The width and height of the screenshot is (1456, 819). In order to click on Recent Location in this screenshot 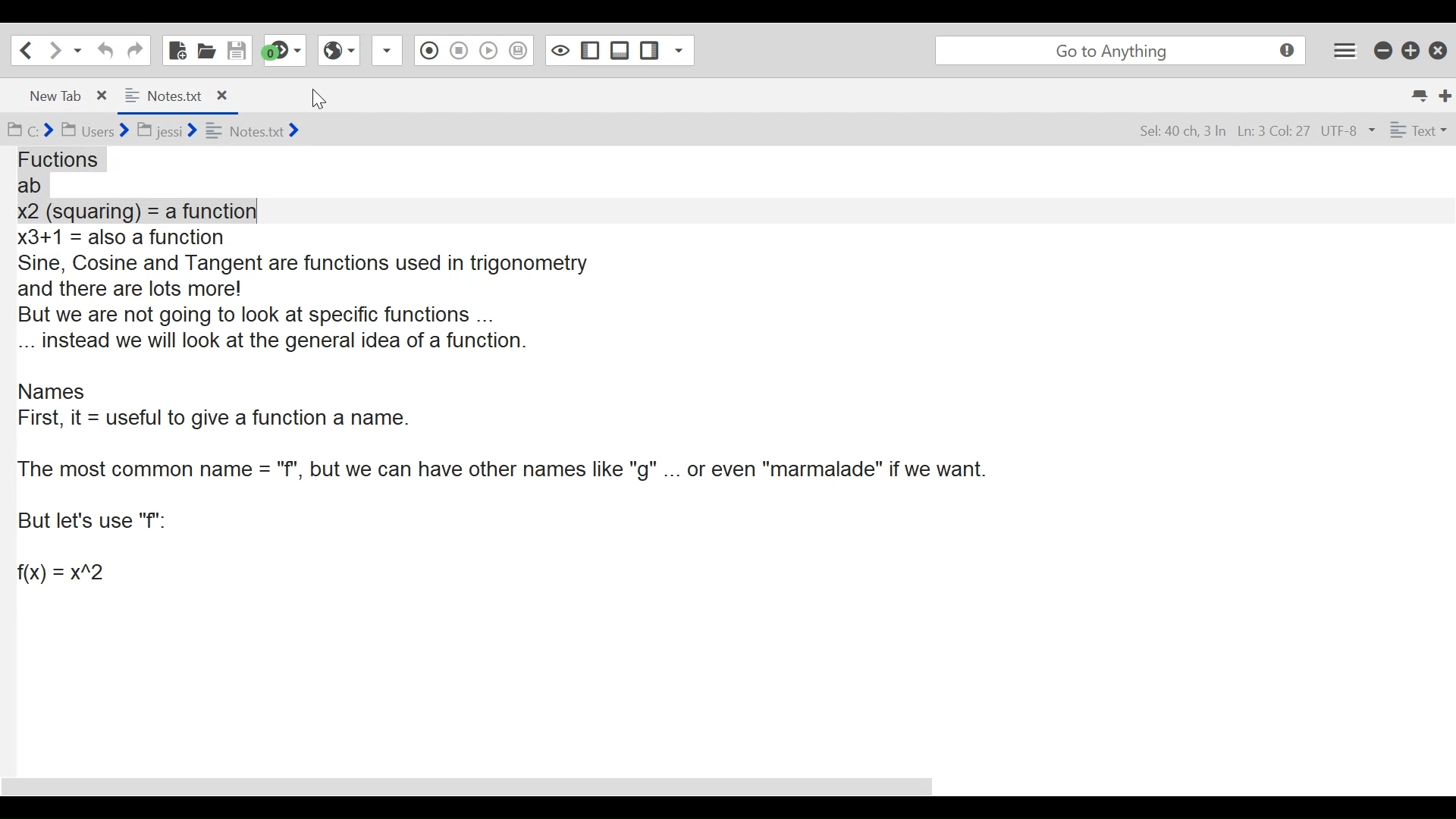, I will do `click(76, 50)`.